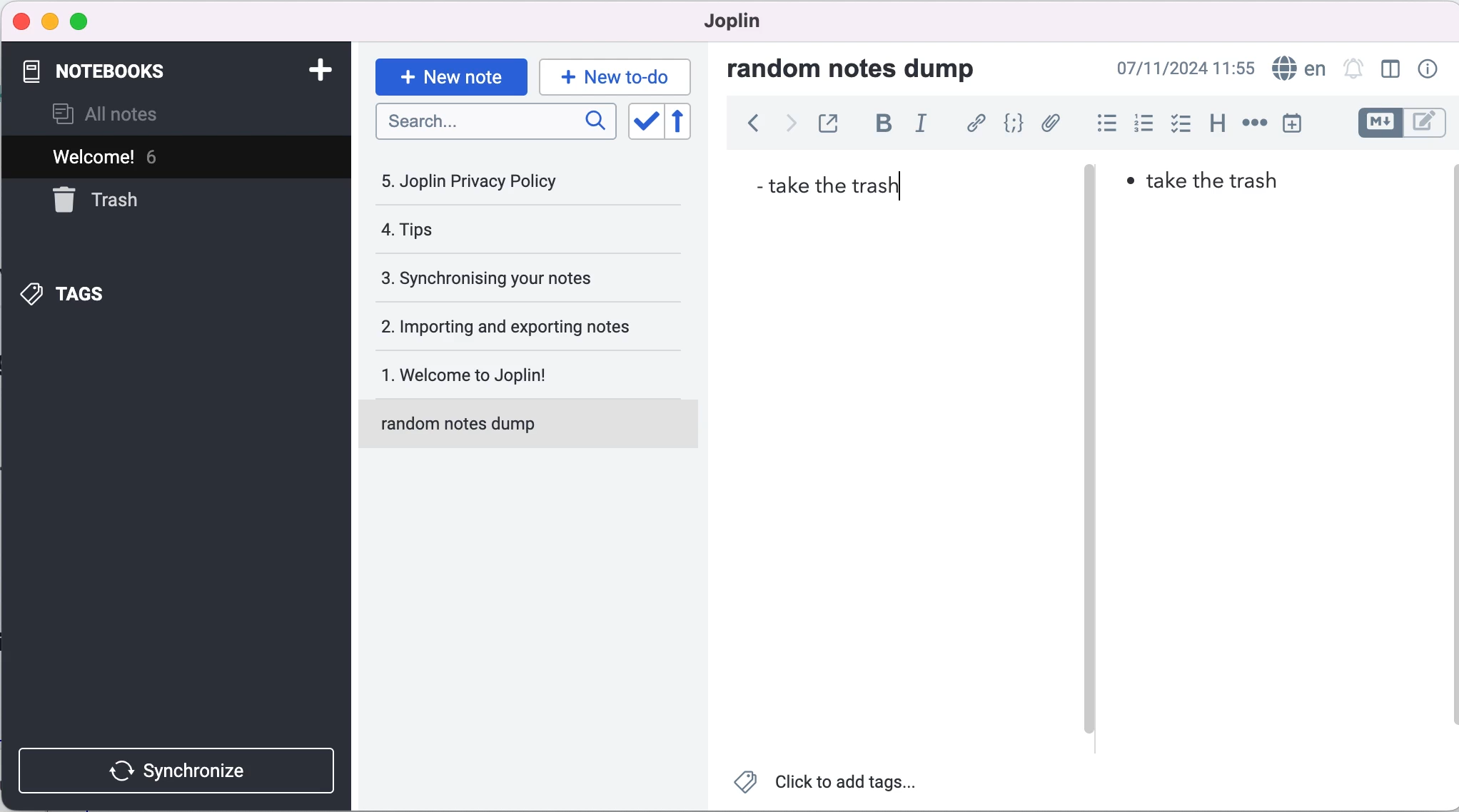  I want to click on maximize, so click(79, 23).